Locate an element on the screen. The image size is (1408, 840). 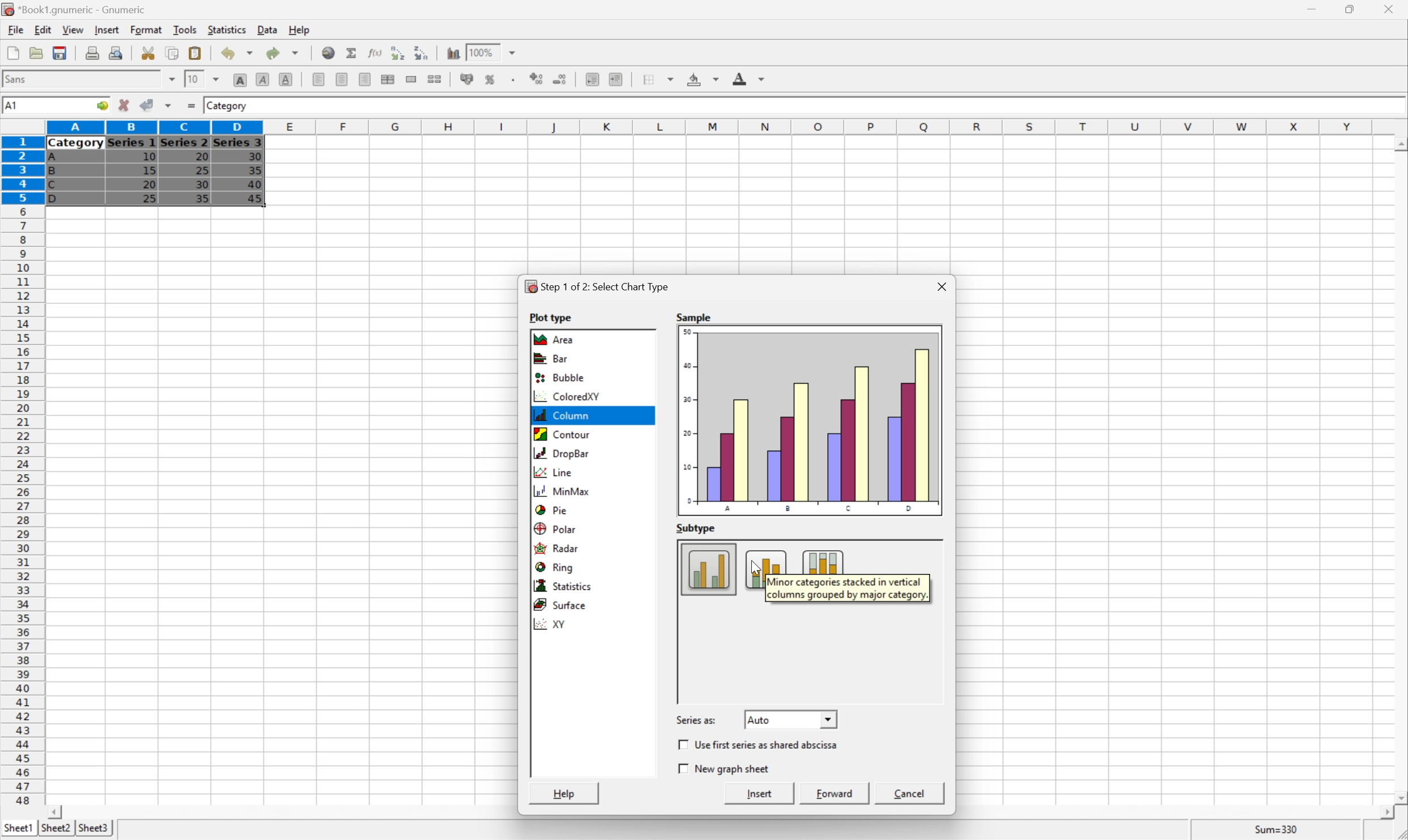
25 is located at coordinates (203, 170).